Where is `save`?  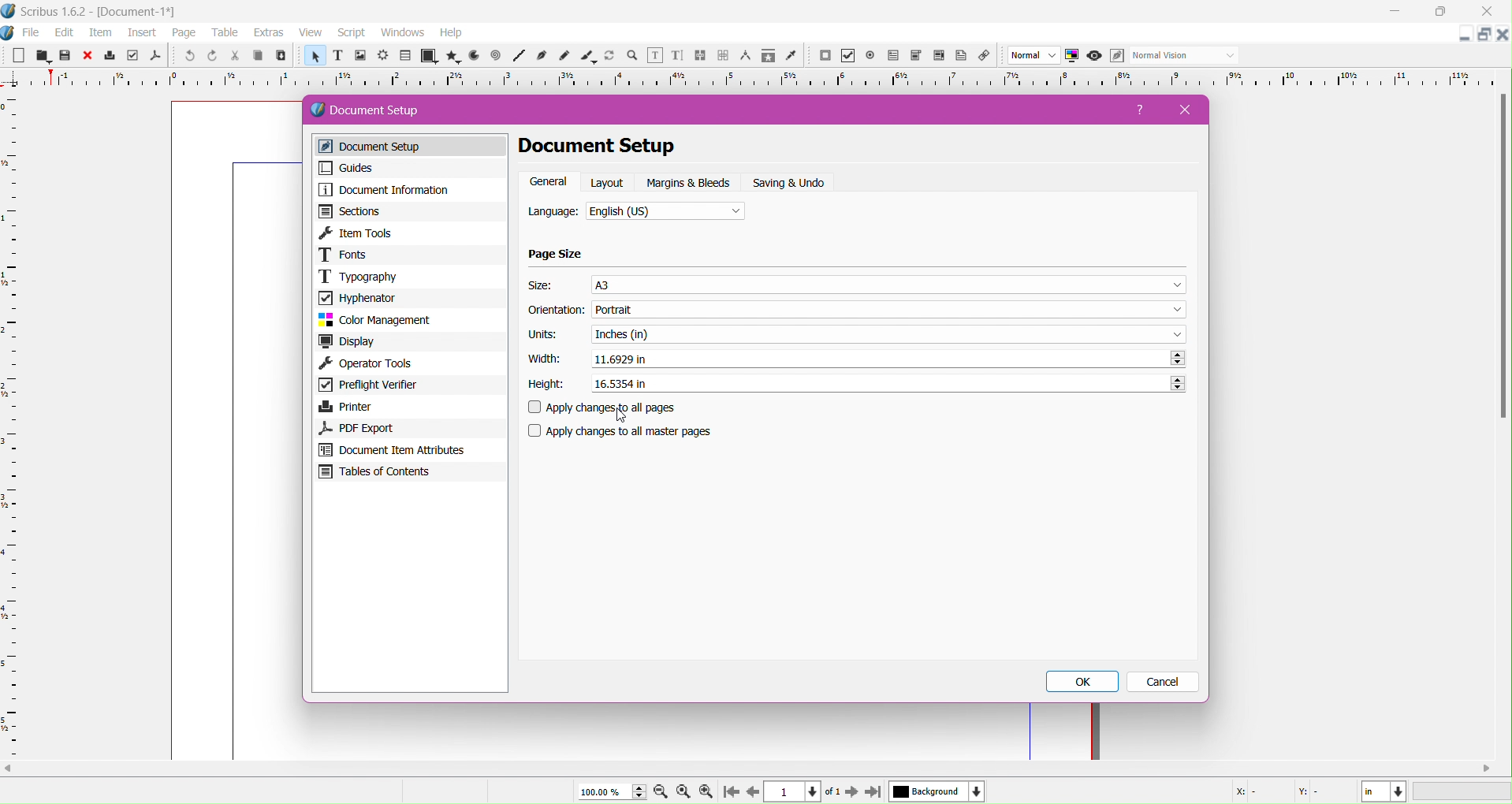 save is located at coordinates (65, 57).